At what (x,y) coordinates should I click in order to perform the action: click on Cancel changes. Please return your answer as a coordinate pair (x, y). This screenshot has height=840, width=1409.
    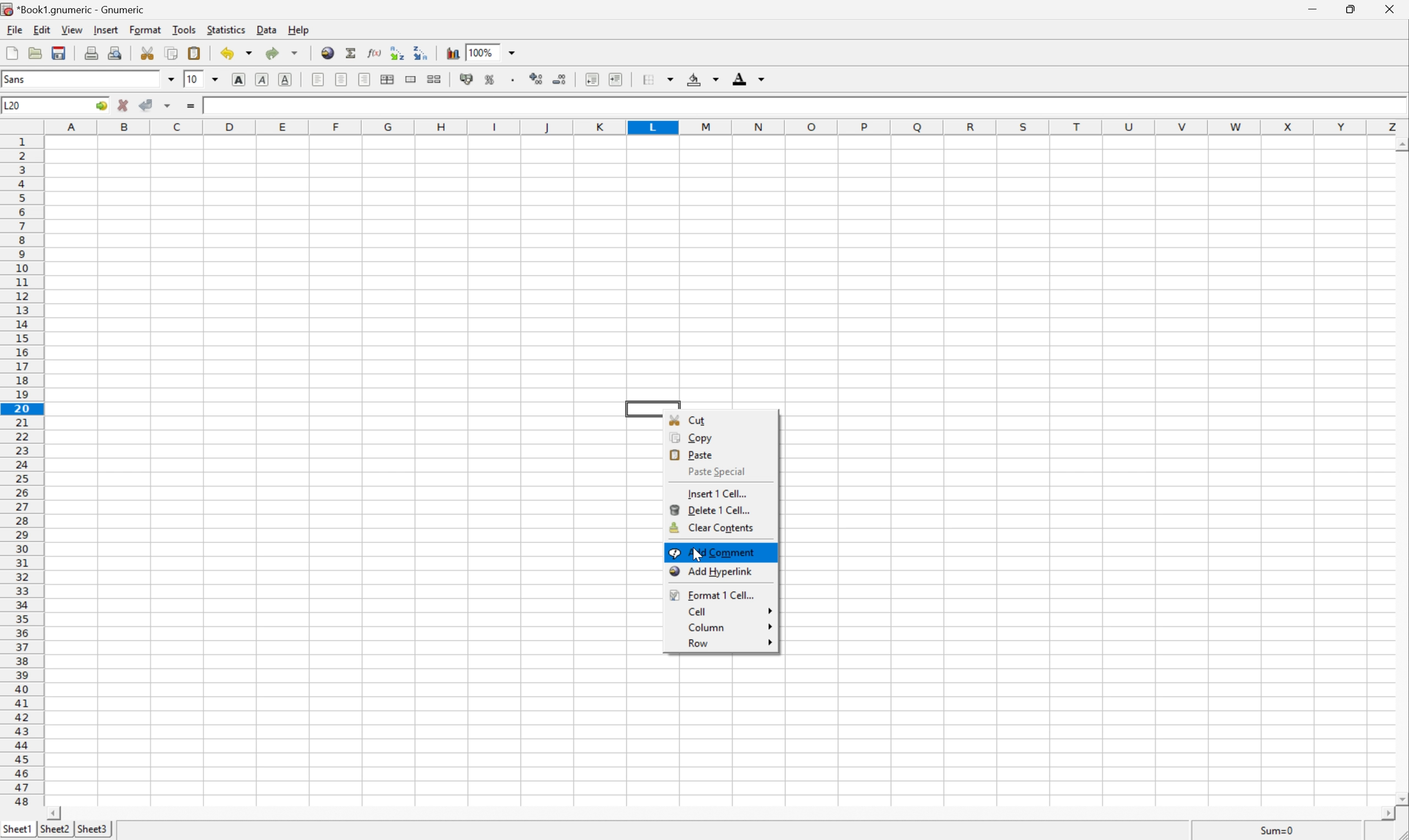
    Looking at the image, I should click on (124, 106).